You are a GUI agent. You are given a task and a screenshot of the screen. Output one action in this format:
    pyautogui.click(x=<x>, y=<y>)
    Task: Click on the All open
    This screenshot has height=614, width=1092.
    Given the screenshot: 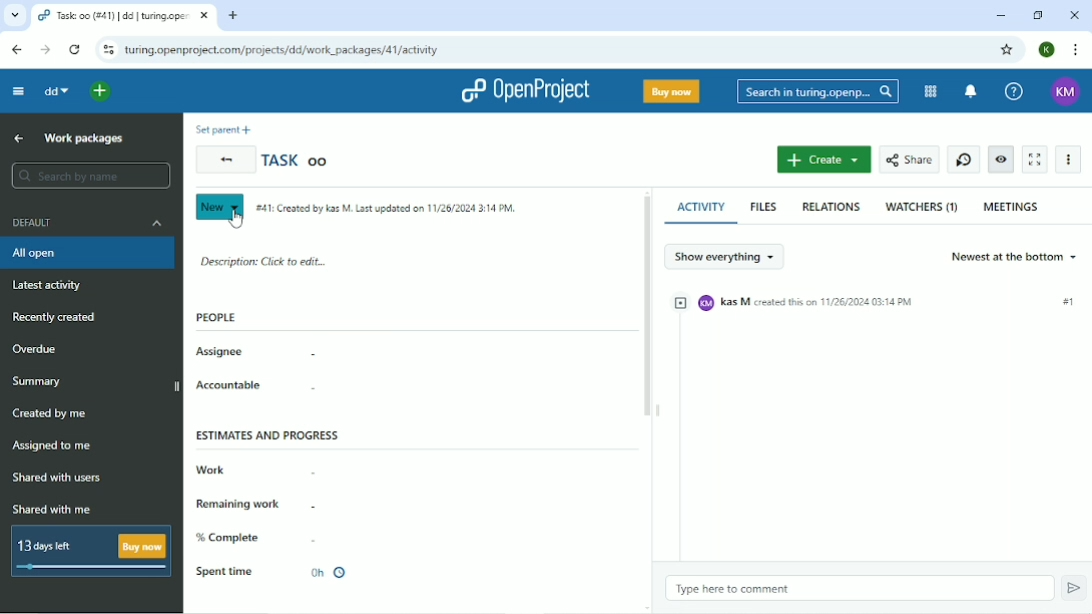 What is the action you would take?
    pyautogui.click(x=87, y=254)
    